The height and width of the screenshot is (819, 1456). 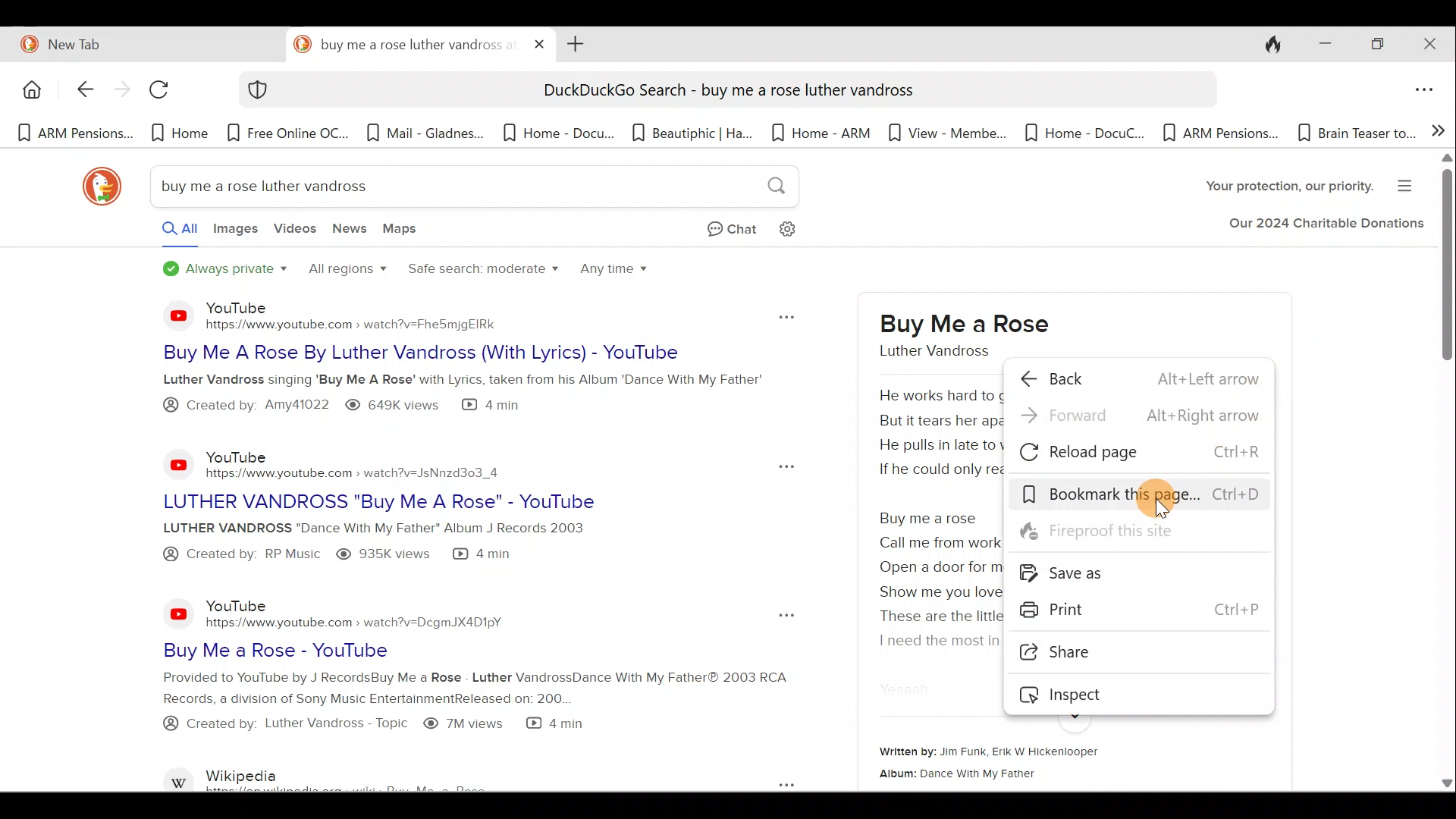 What do you see at coordinates (30, 89) in the screenshot?
I see `Home` at bounding box center [30, 89].